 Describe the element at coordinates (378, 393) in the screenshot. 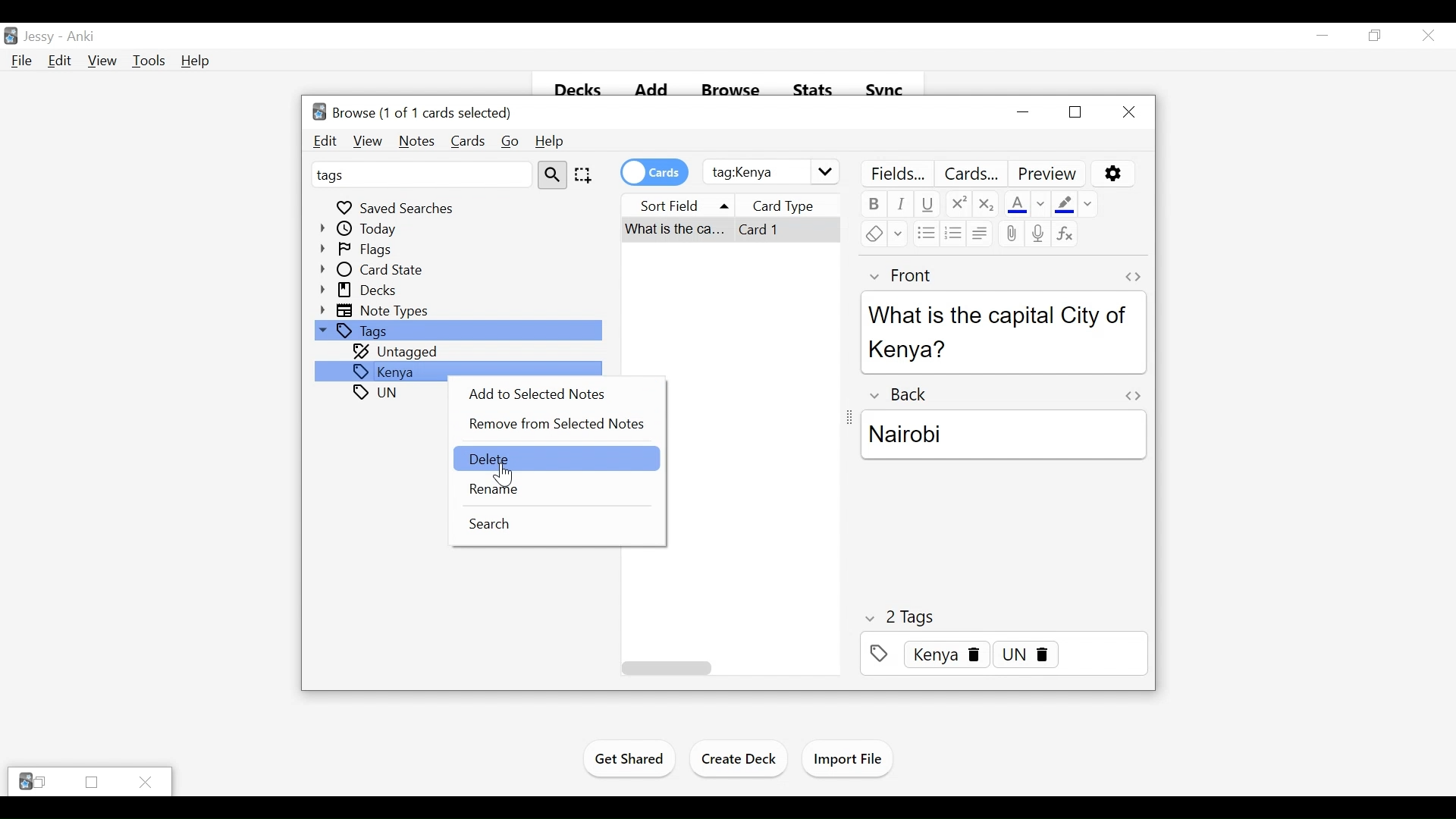

I see `tags` at that location.